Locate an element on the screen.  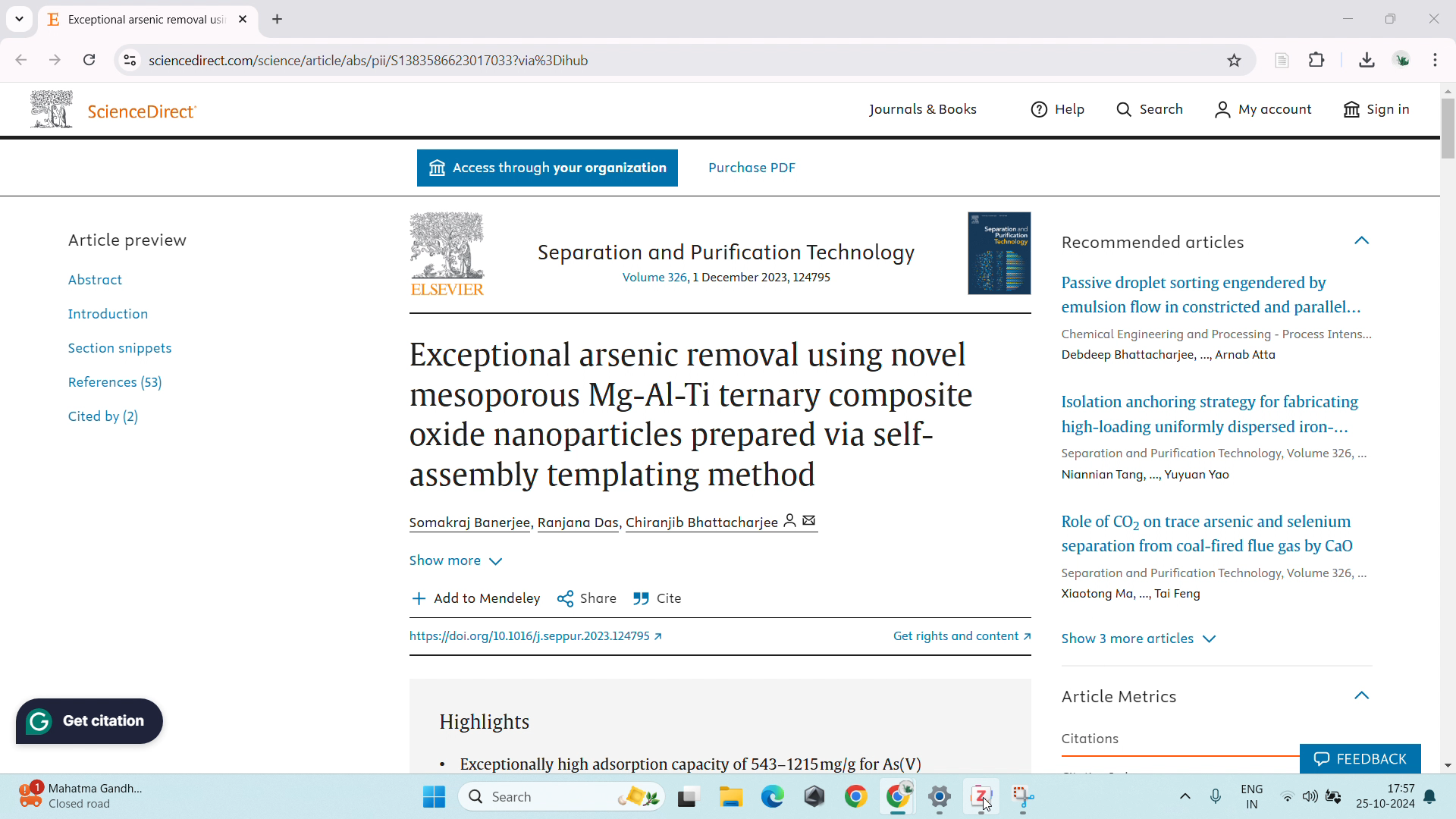
close is located at coordinates (1435, 17).